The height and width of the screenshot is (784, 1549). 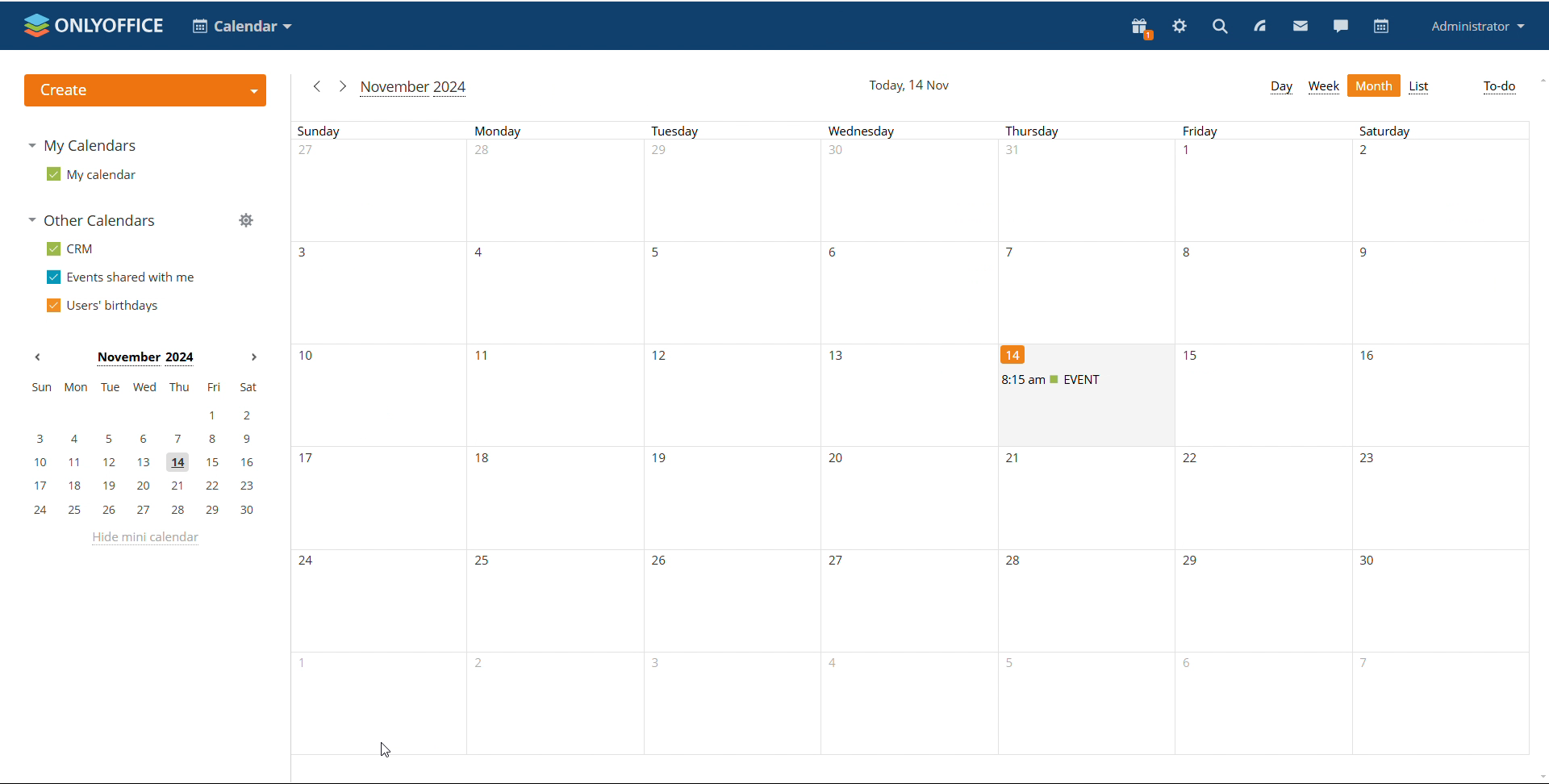 What do you see at coordinates (103, 306) in the screenshot?
I see `users' birthdays` at bounding box center [103, 306].